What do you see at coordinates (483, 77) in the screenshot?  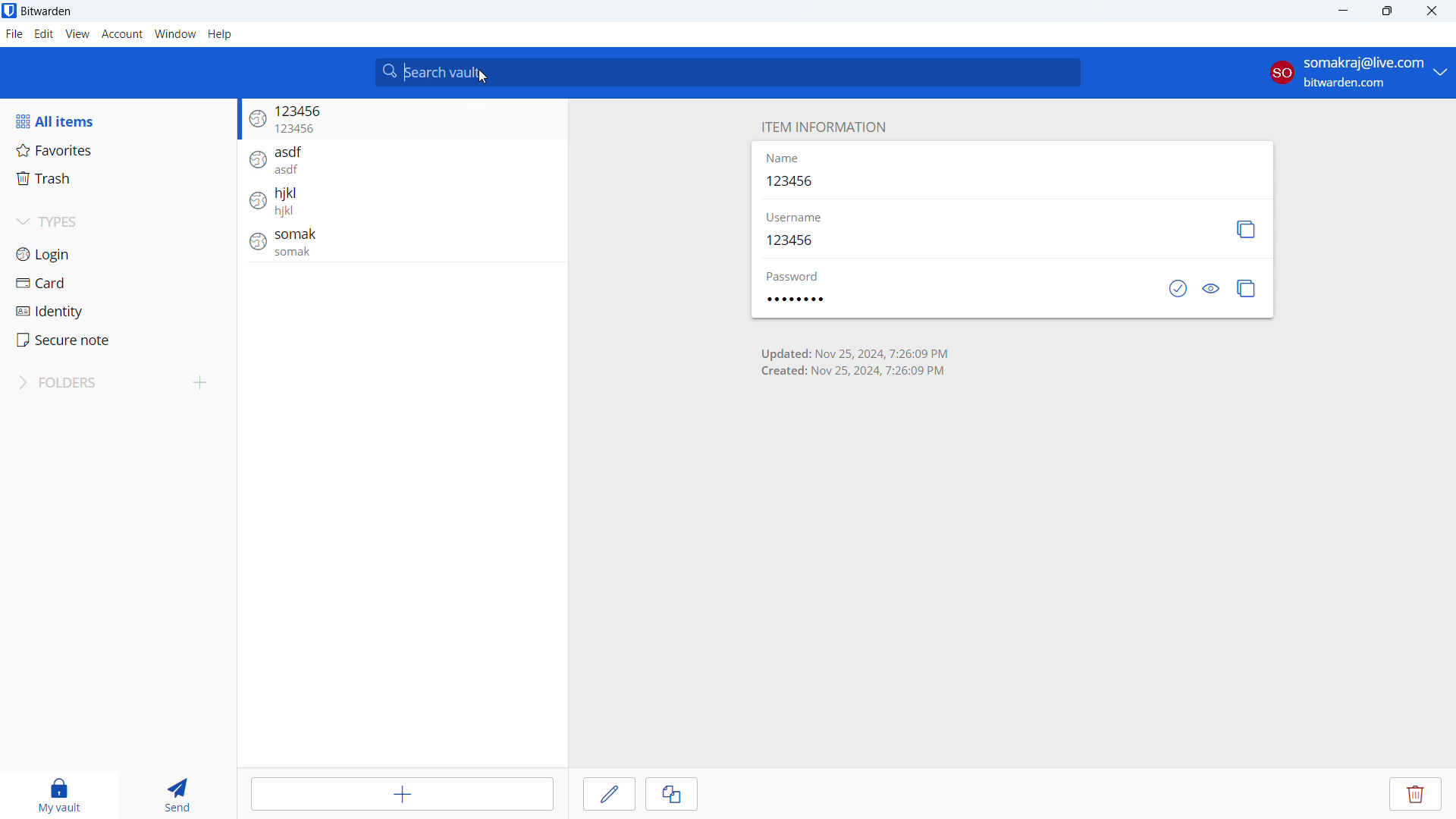 I see `cursor` at bounding box center [483, 77].